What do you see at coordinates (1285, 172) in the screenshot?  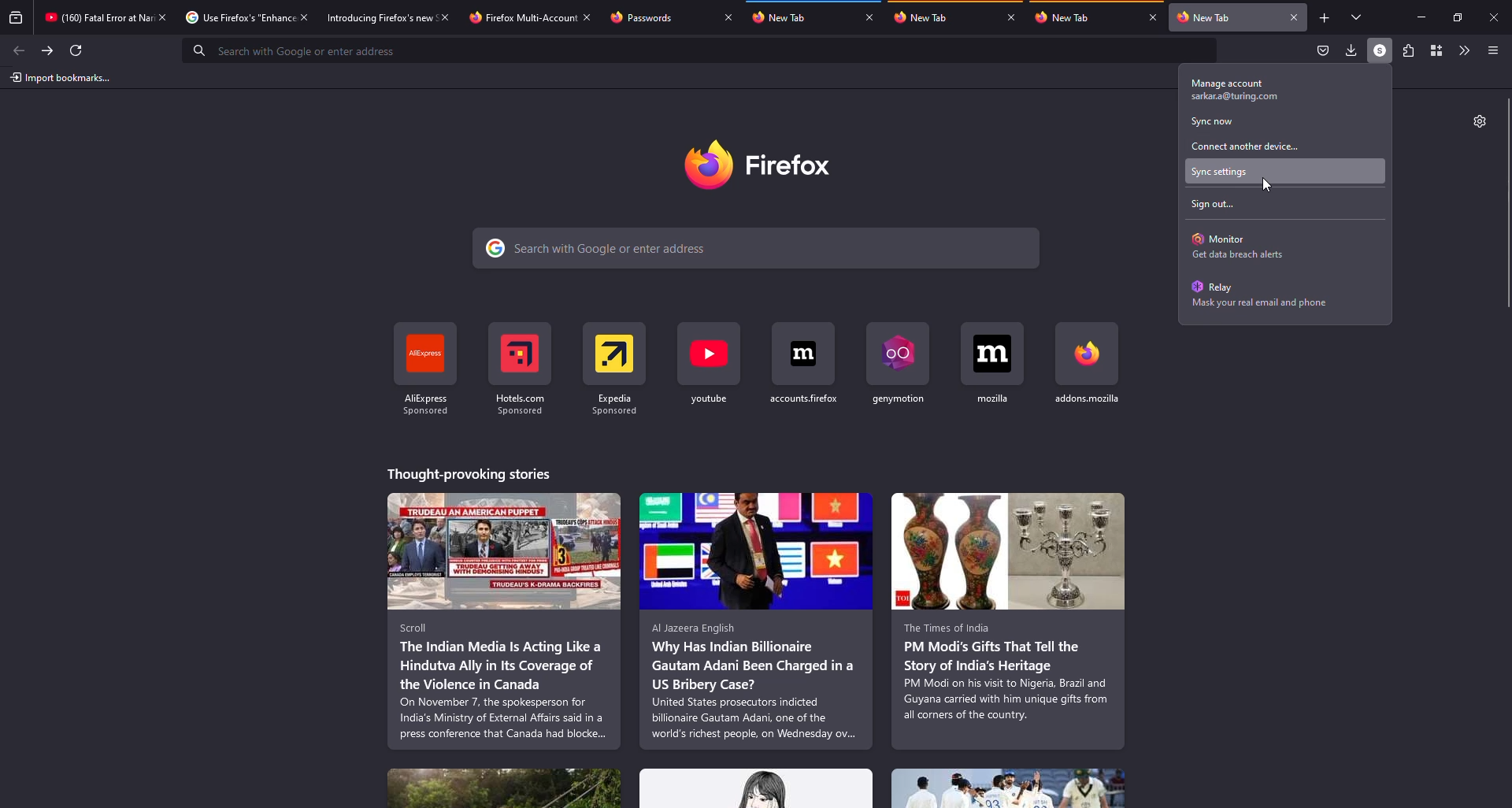 I see `sync settings` at bounding box center [1285, 172].